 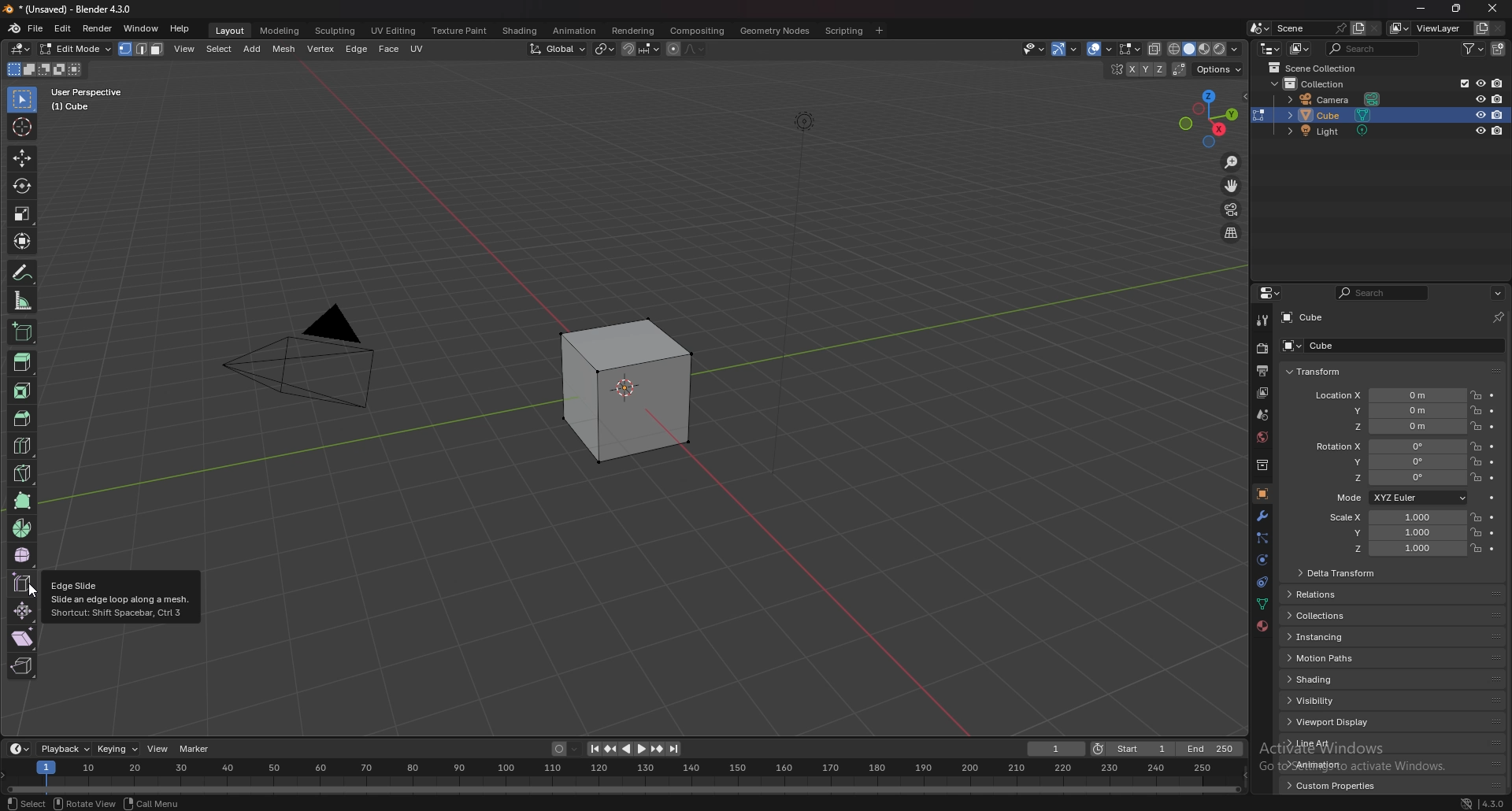 I want to click on texture paint, so click(x=459, y=31).